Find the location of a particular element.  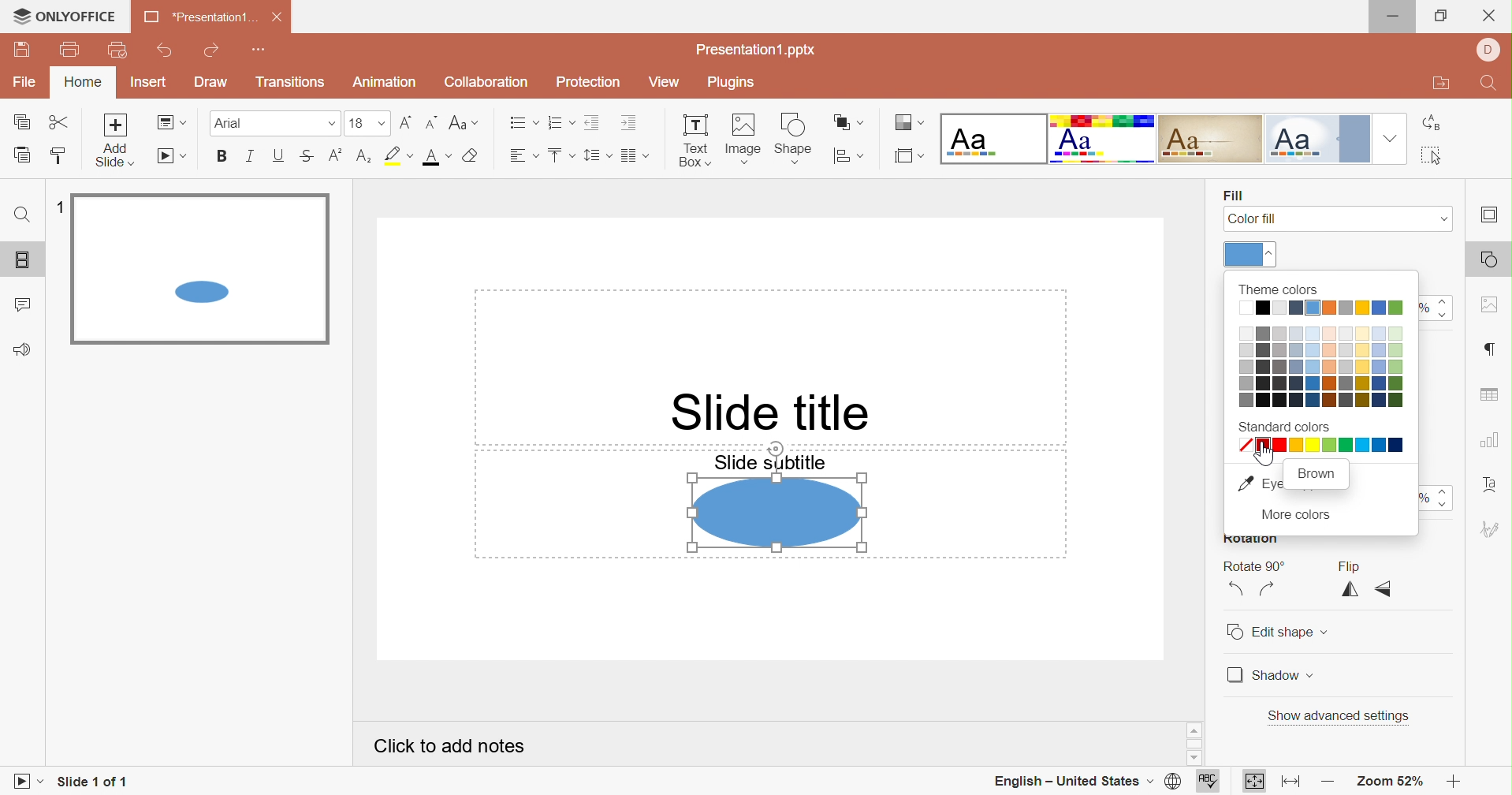

Flip is located at coordinates (1349, 567).